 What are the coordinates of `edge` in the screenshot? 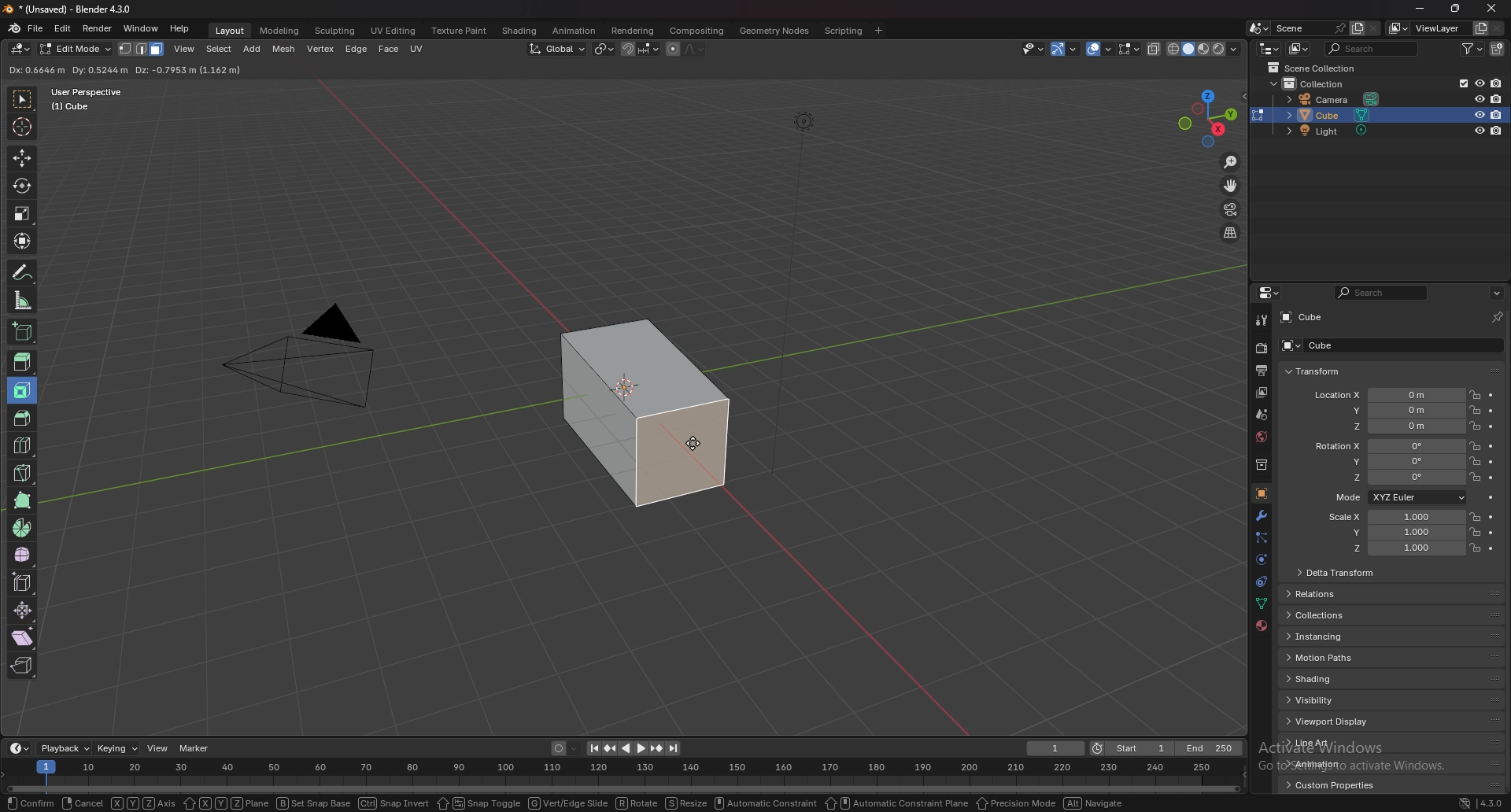 It's located at (357, 49).